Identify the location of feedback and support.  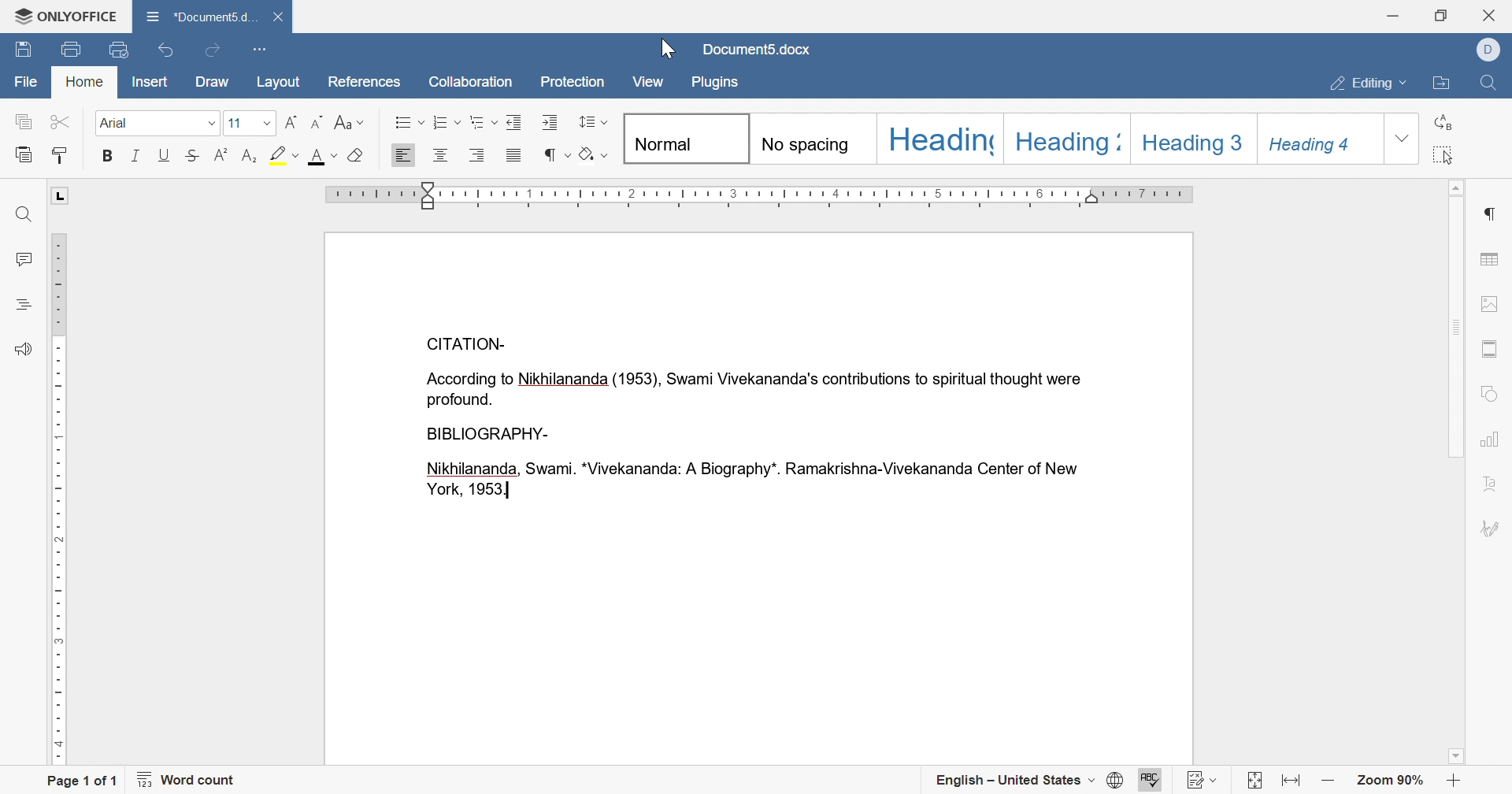
(20, 351).